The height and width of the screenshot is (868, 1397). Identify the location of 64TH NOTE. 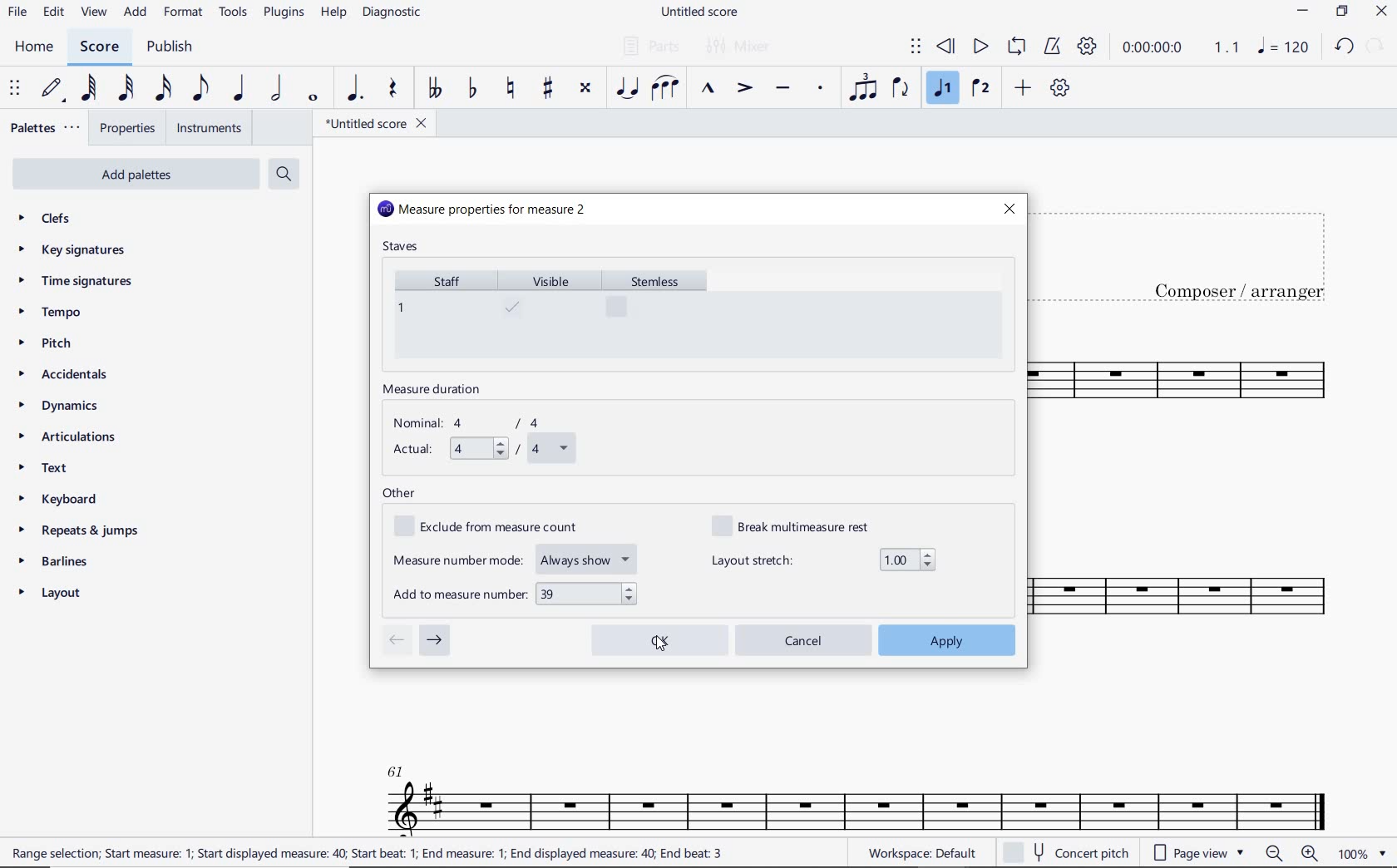
(91, 89).